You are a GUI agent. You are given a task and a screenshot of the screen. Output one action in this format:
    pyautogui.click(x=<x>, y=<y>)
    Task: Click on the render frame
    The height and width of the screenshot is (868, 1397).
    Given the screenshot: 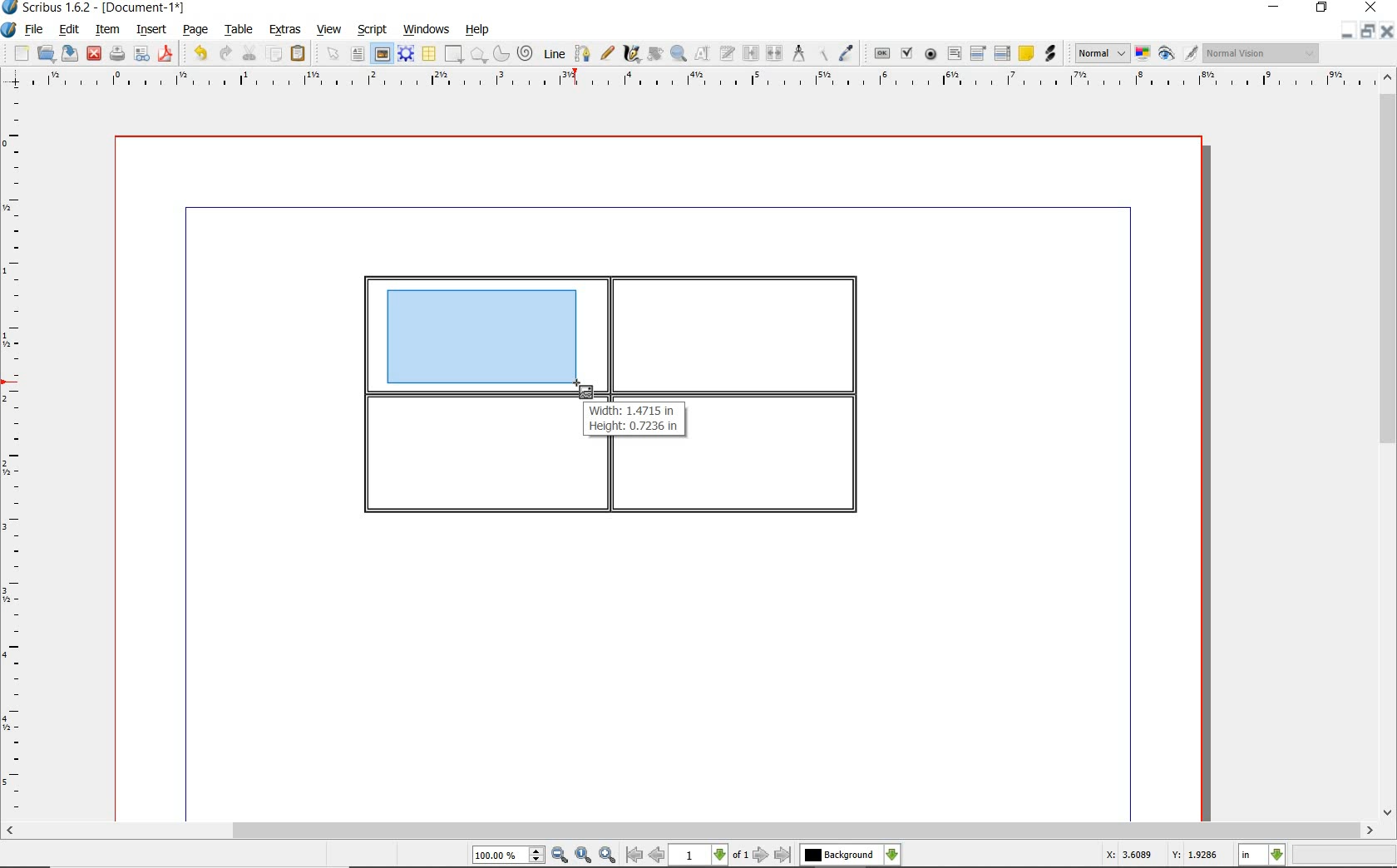 What is the action you would take?
    pyautogui.click(x=406, y=52)
    